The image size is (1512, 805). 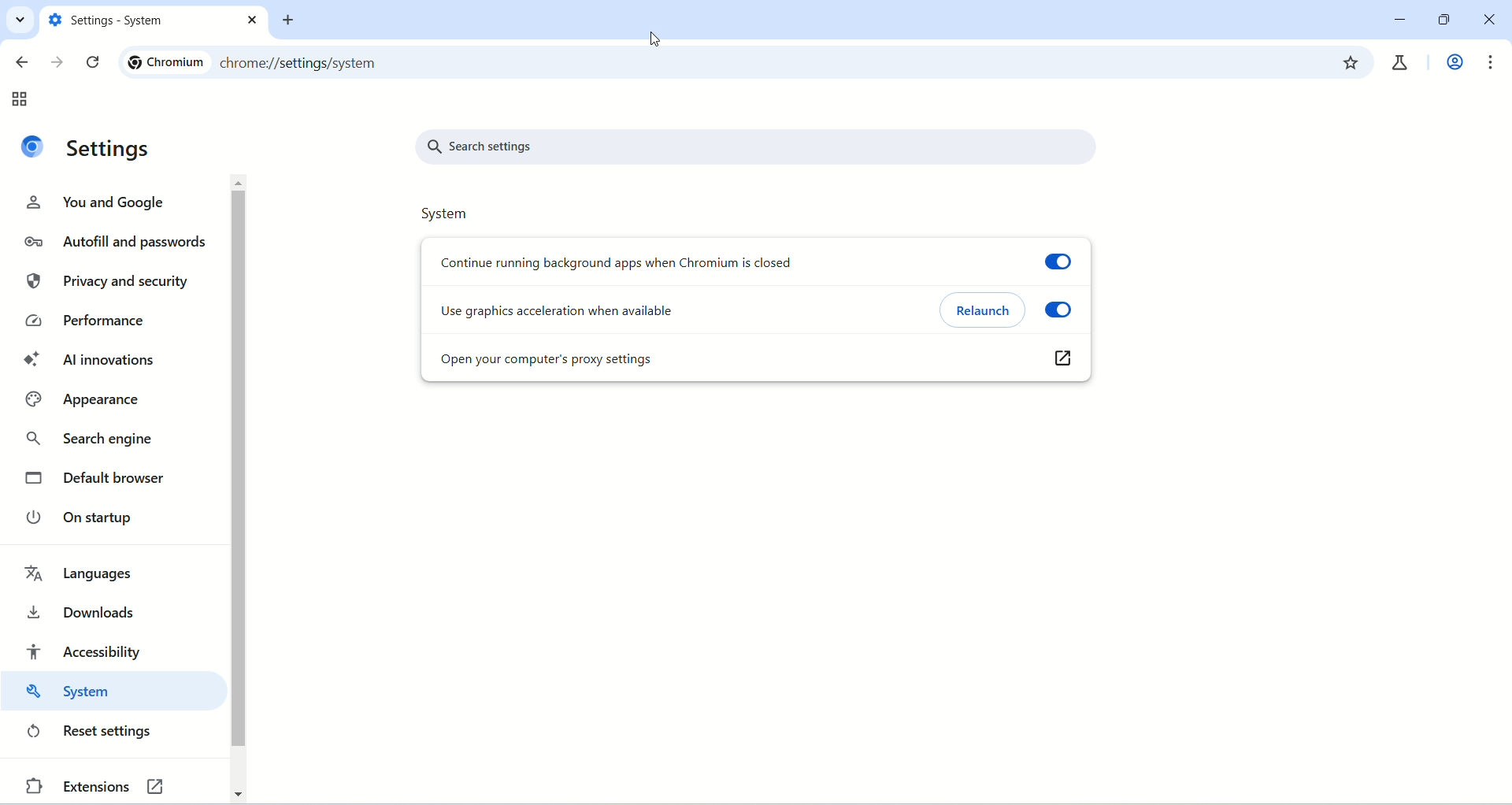 I want to click on toggle button, so click(x=1062, y=310).